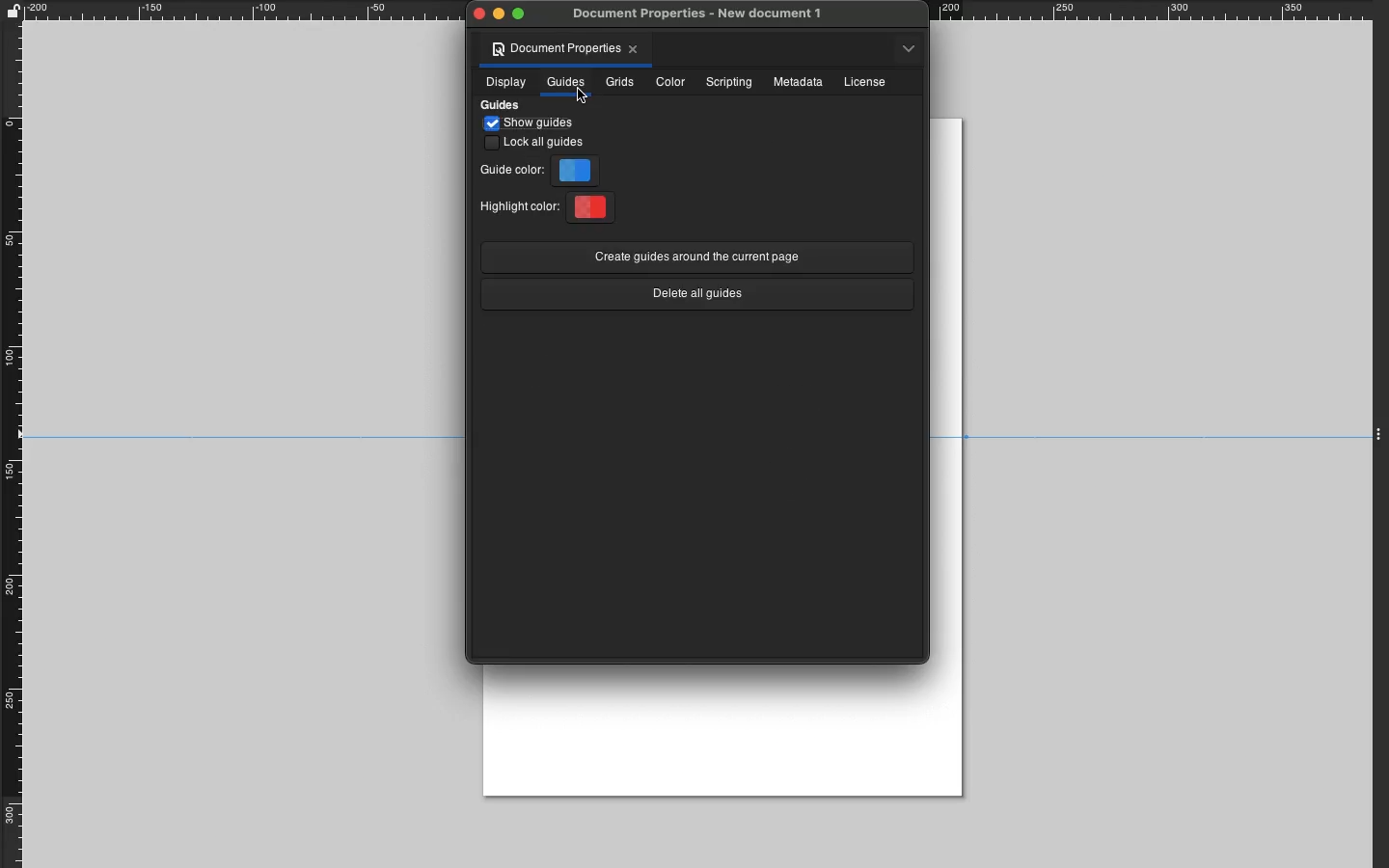  Describe the element at coordinates (619, 82) in the screenshot. I see `Grids` at that location.